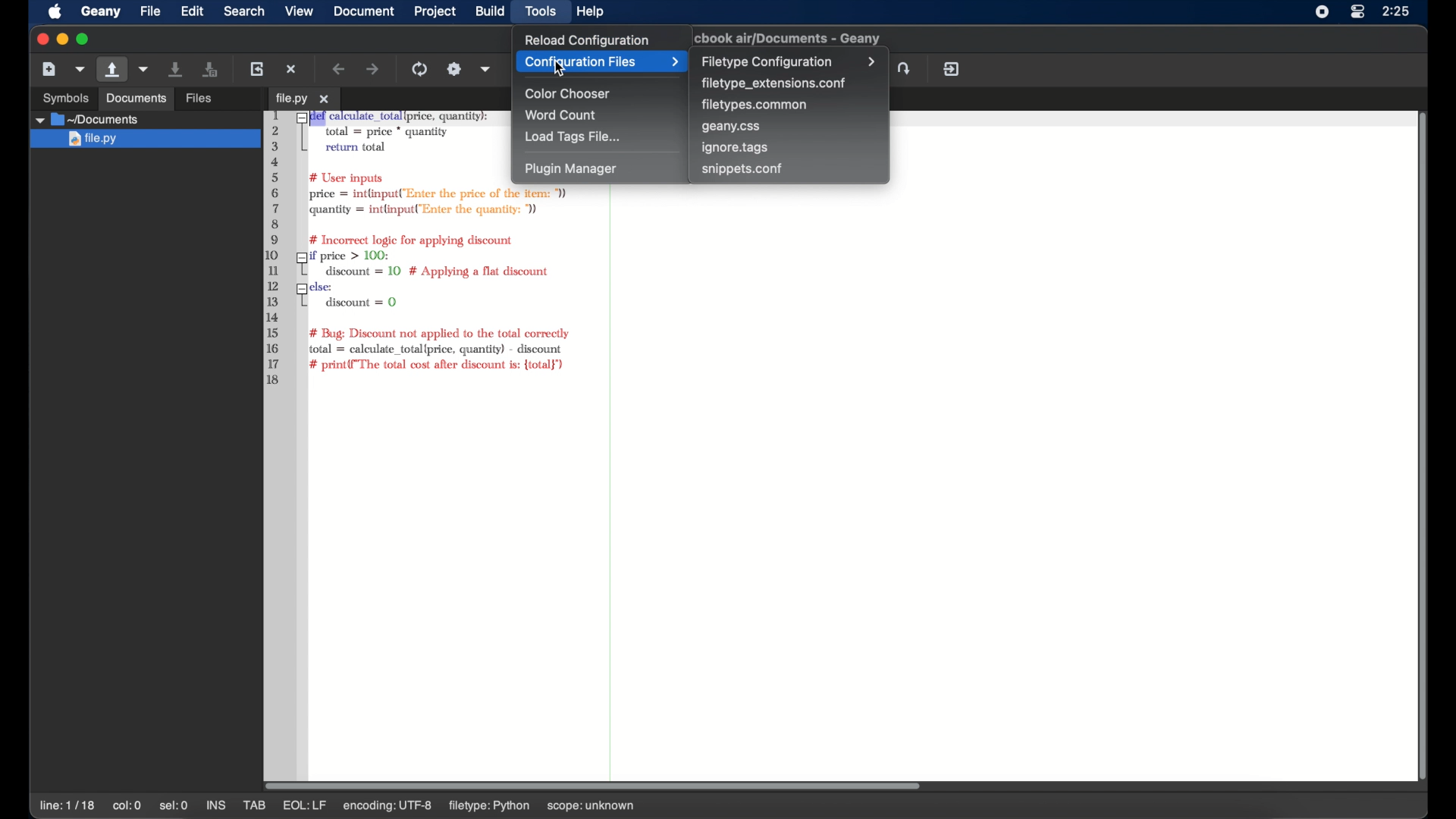  I want to click on search, so click(244, 11).